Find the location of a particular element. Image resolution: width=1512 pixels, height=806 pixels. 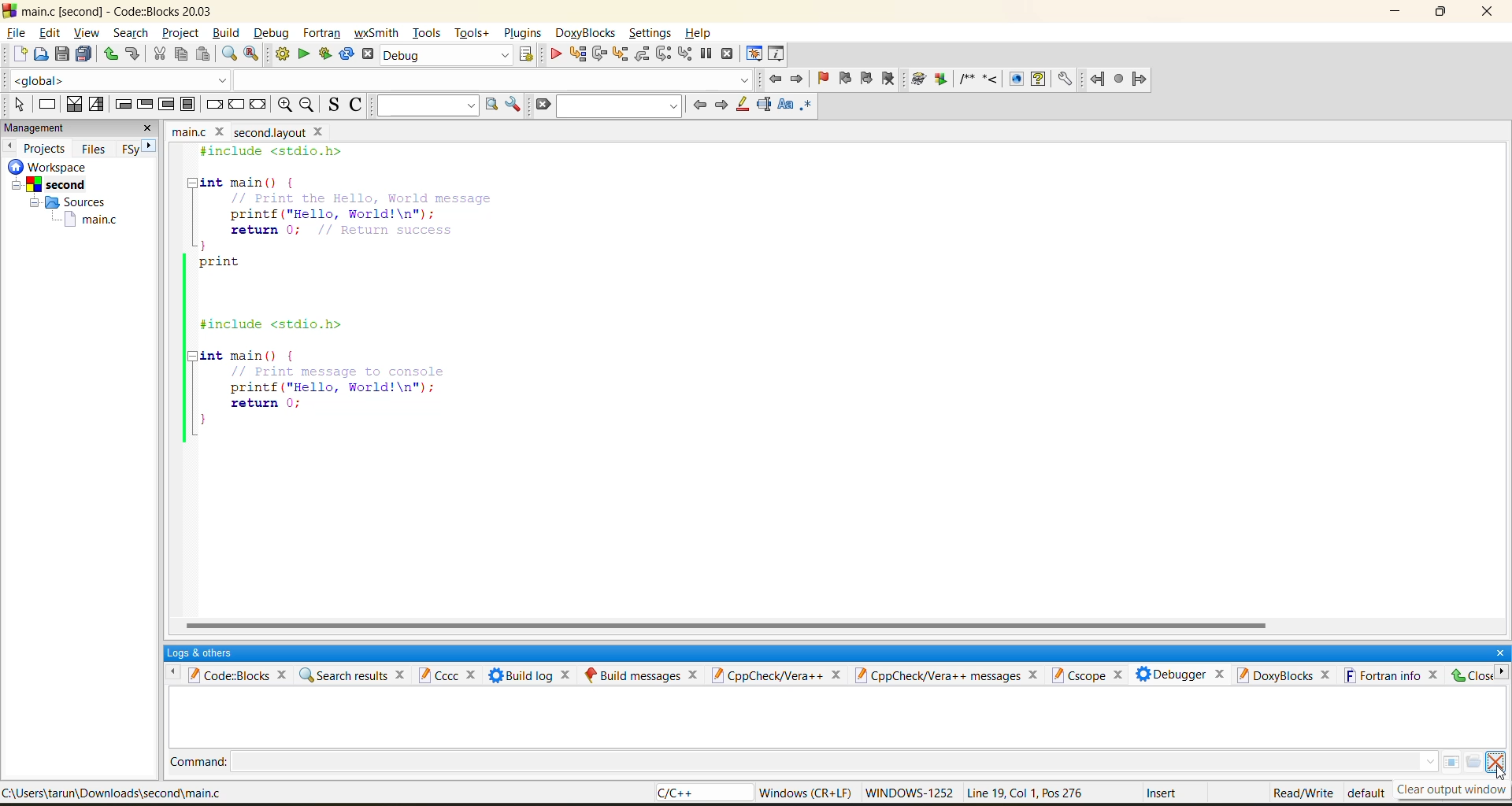

maximize is located at coordinates (1444, 14).